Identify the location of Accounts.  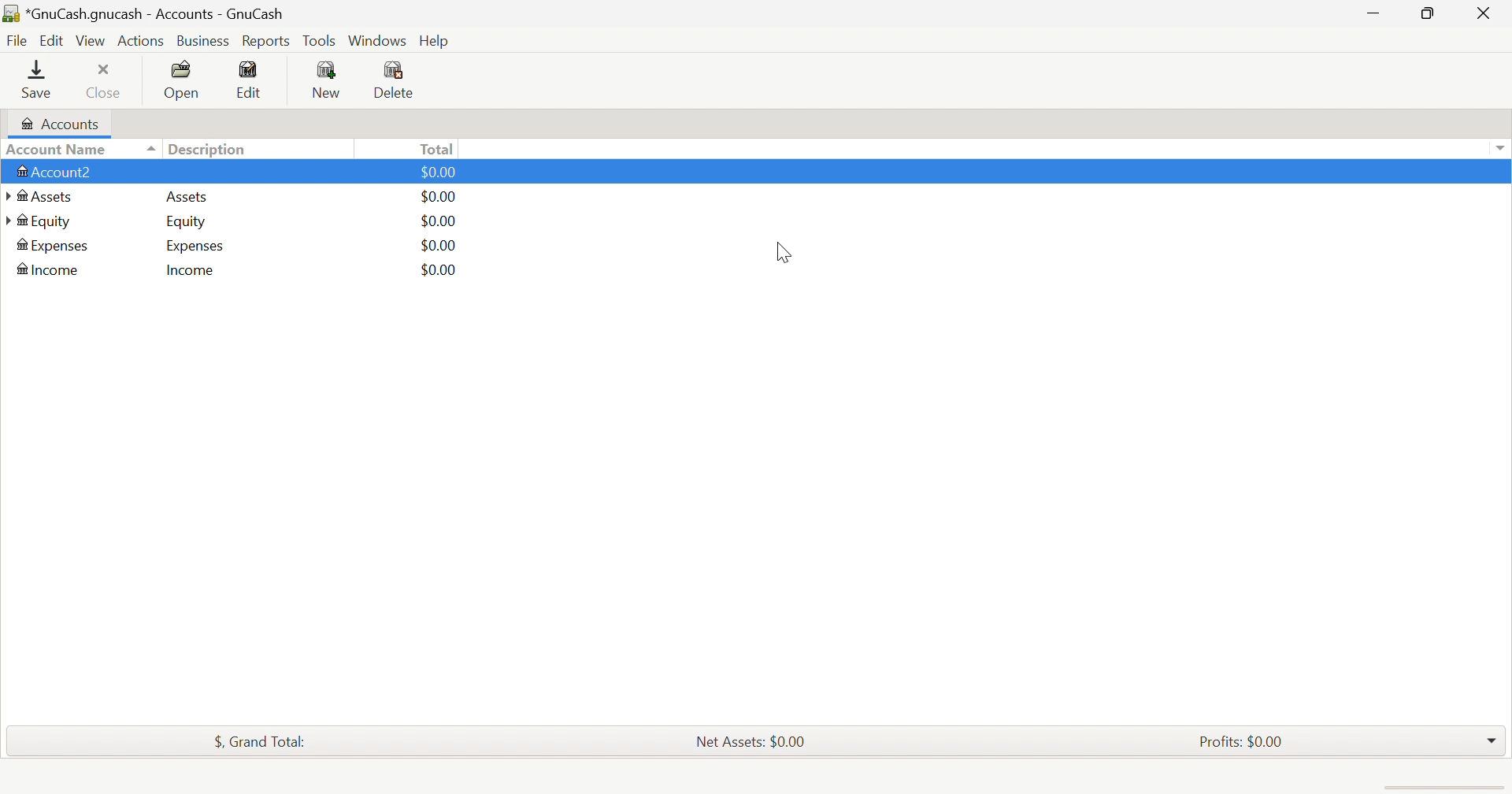
(62, 124).